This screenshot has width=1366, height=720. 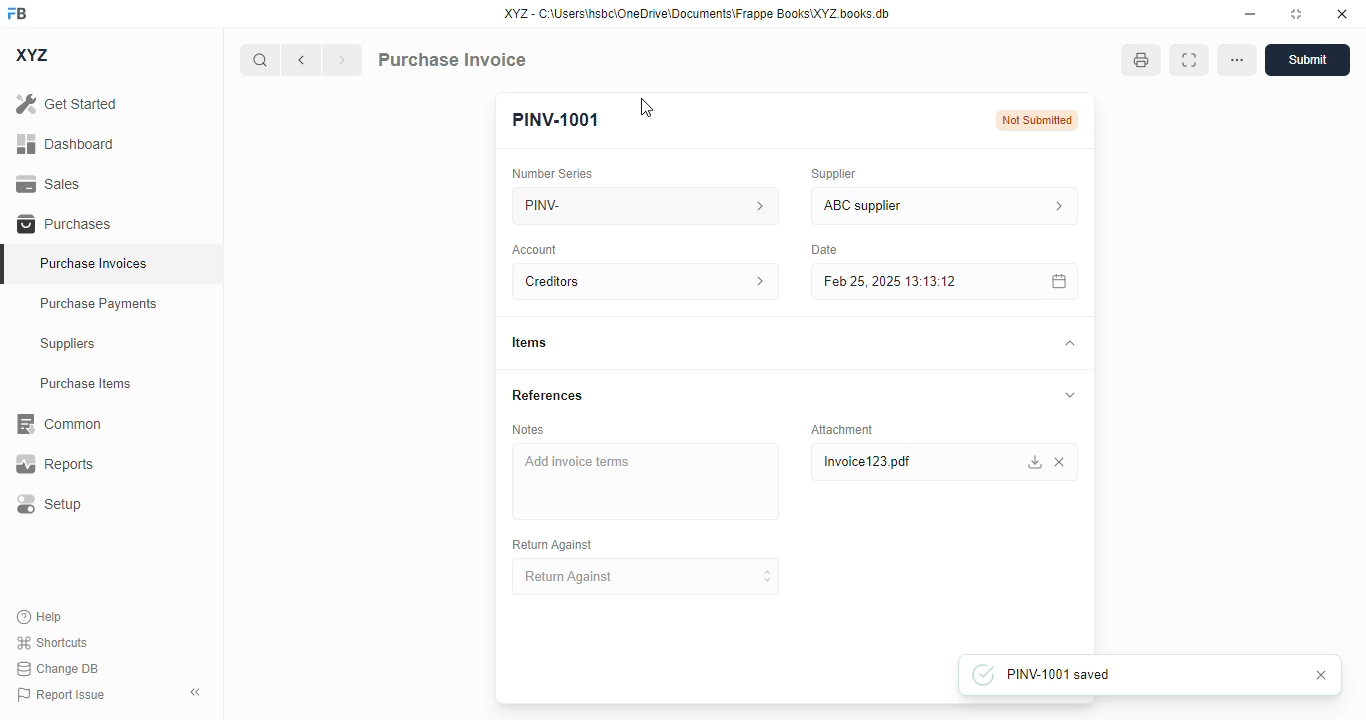 I want to click on feb 25, 2025 13:13:12, so click(x=905, y=281).